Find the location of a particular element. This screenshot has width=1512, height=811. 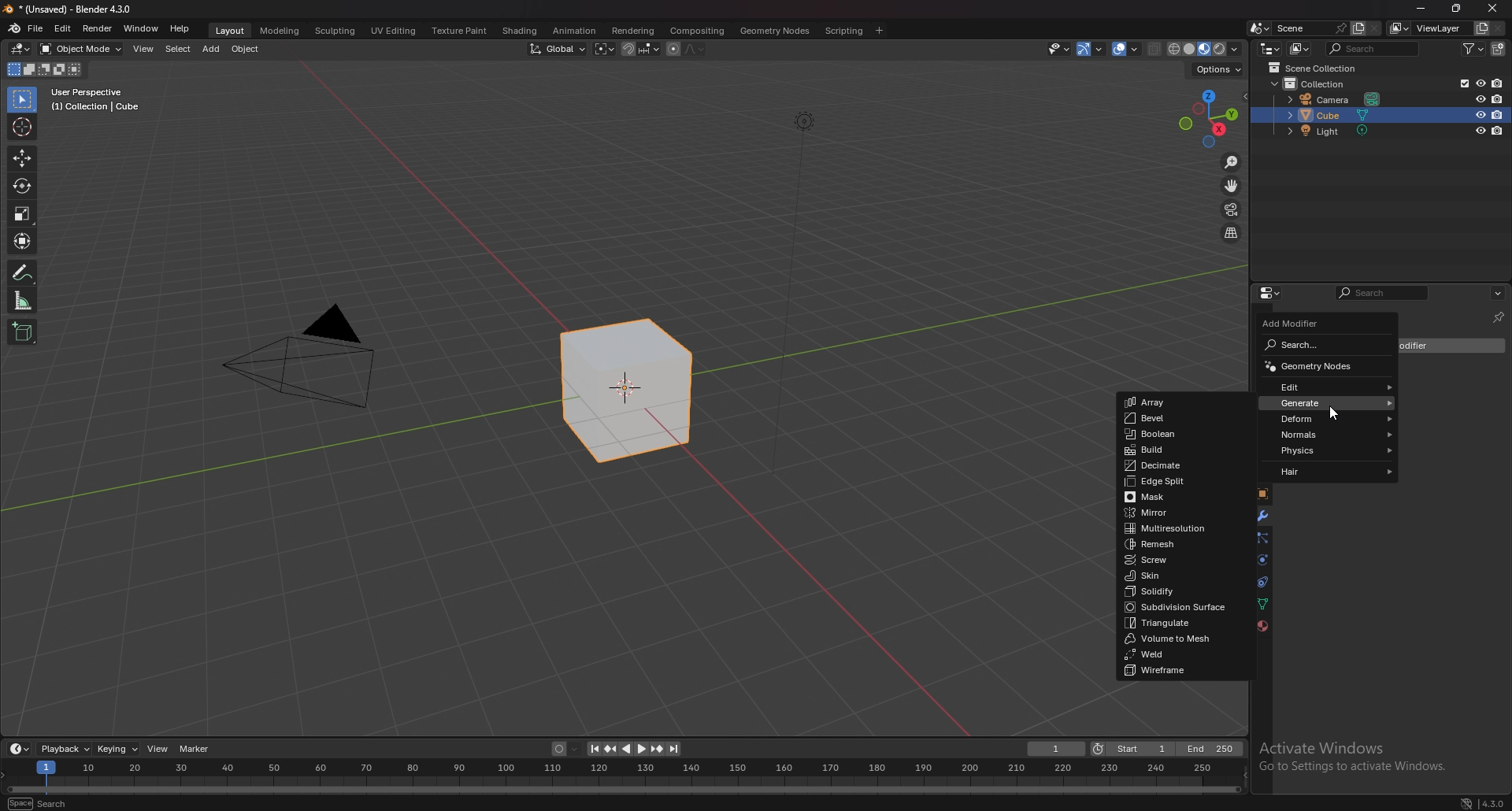

cursor is located at coordinates (1336, 413).